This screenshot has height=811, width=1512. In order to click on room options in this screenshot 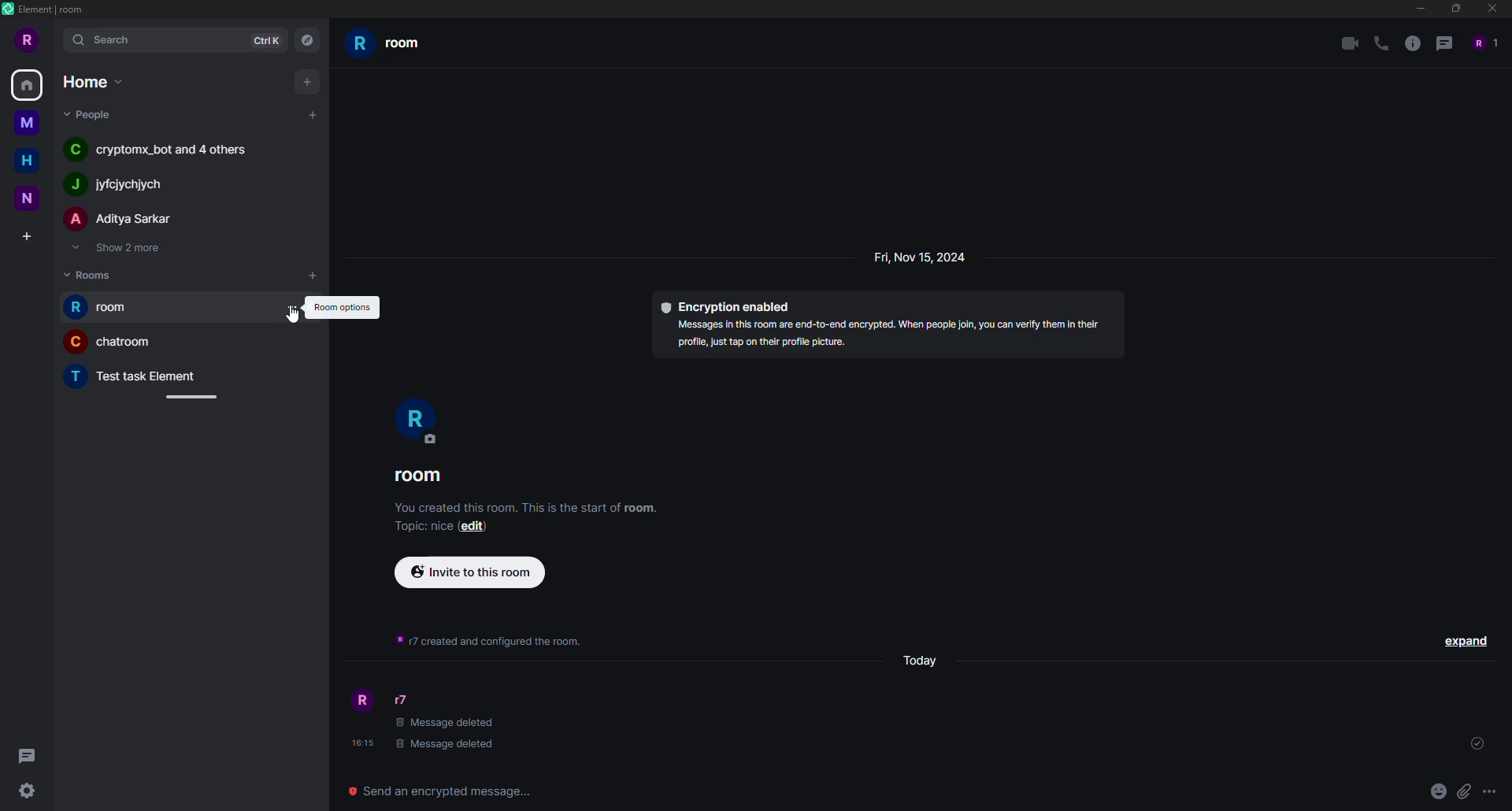, I will do `click(343, 308)`.